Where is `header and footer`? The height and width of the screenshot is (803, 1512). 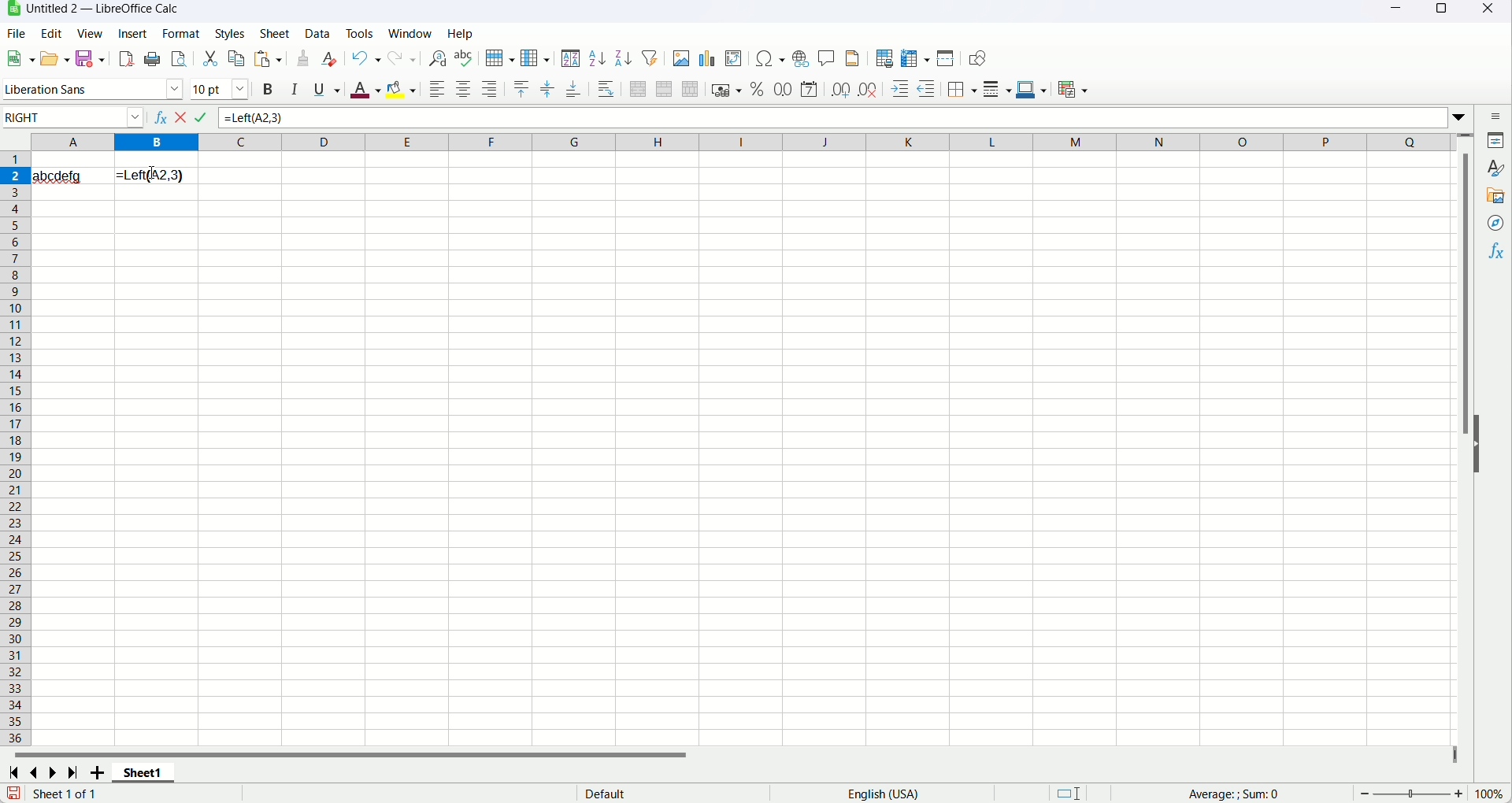
header and footer is located at coordinates (852, 58).